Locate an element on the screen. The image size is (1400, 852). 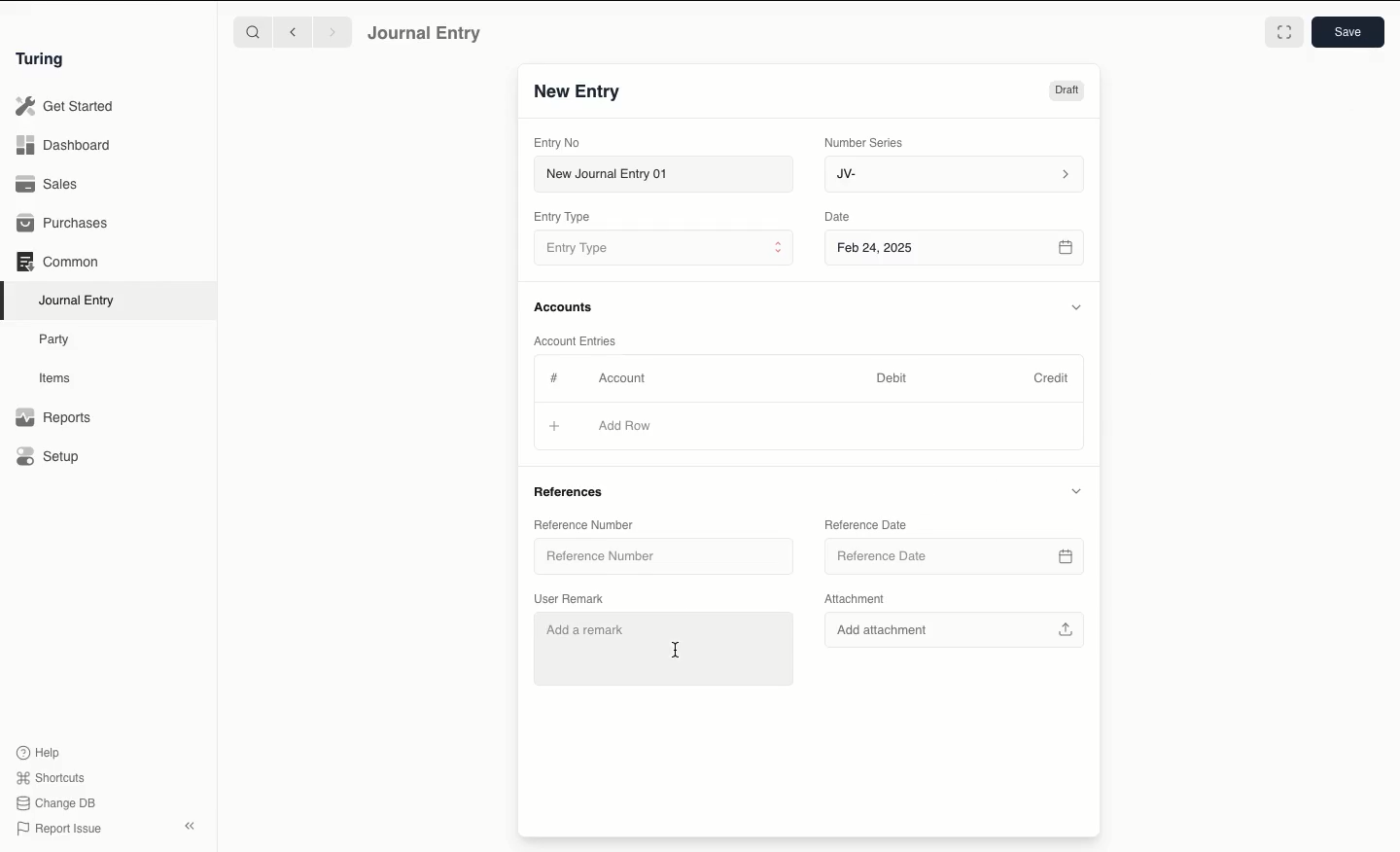
Feb 24, 2025 is located at coordinates (957, 250).